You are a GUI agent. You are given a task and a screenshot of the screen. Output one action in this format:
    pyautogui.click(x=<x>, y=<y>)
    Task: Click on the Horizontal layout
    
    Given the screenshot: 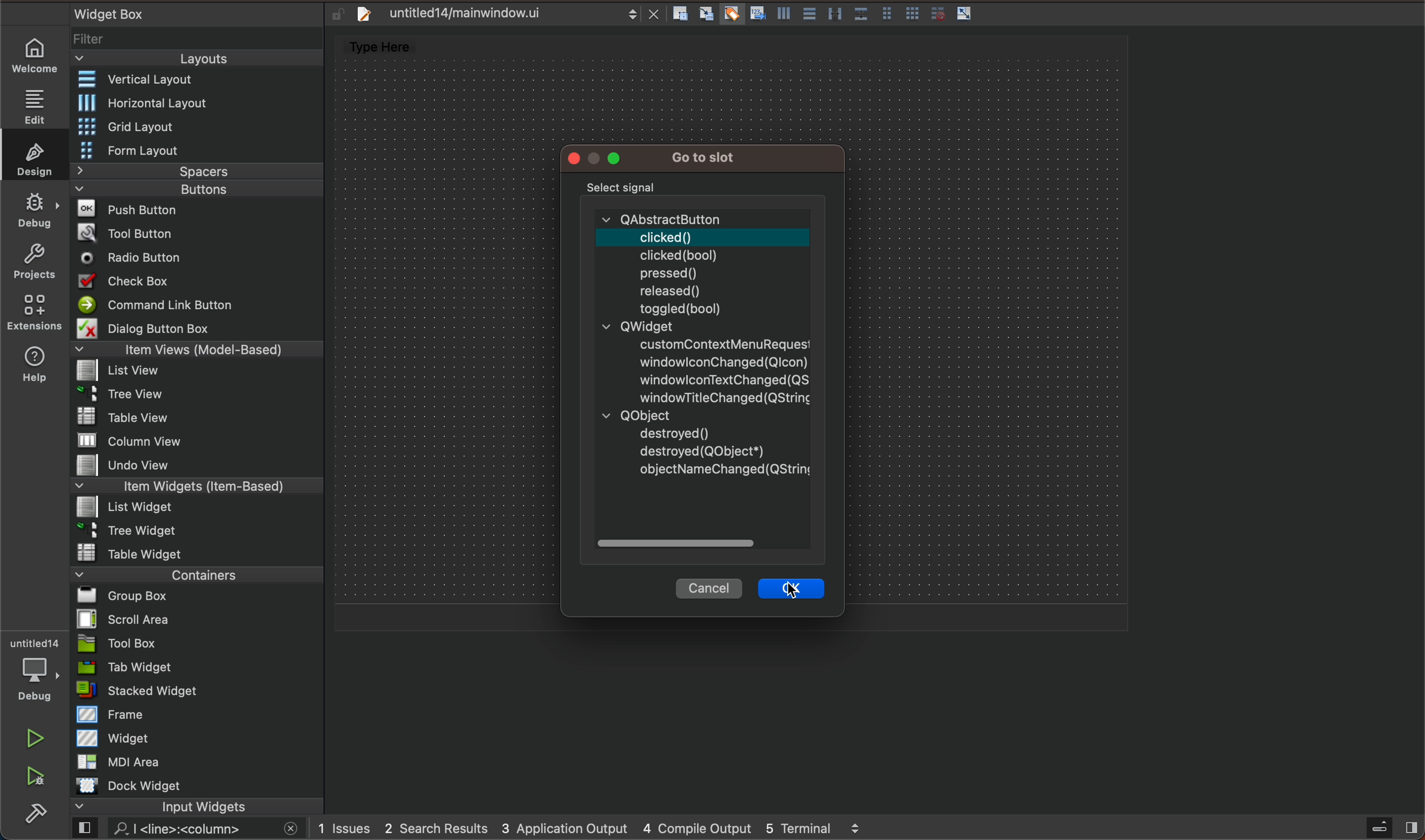 What is the action you would take?
    pyautogui.click(x=202, y=105)
    